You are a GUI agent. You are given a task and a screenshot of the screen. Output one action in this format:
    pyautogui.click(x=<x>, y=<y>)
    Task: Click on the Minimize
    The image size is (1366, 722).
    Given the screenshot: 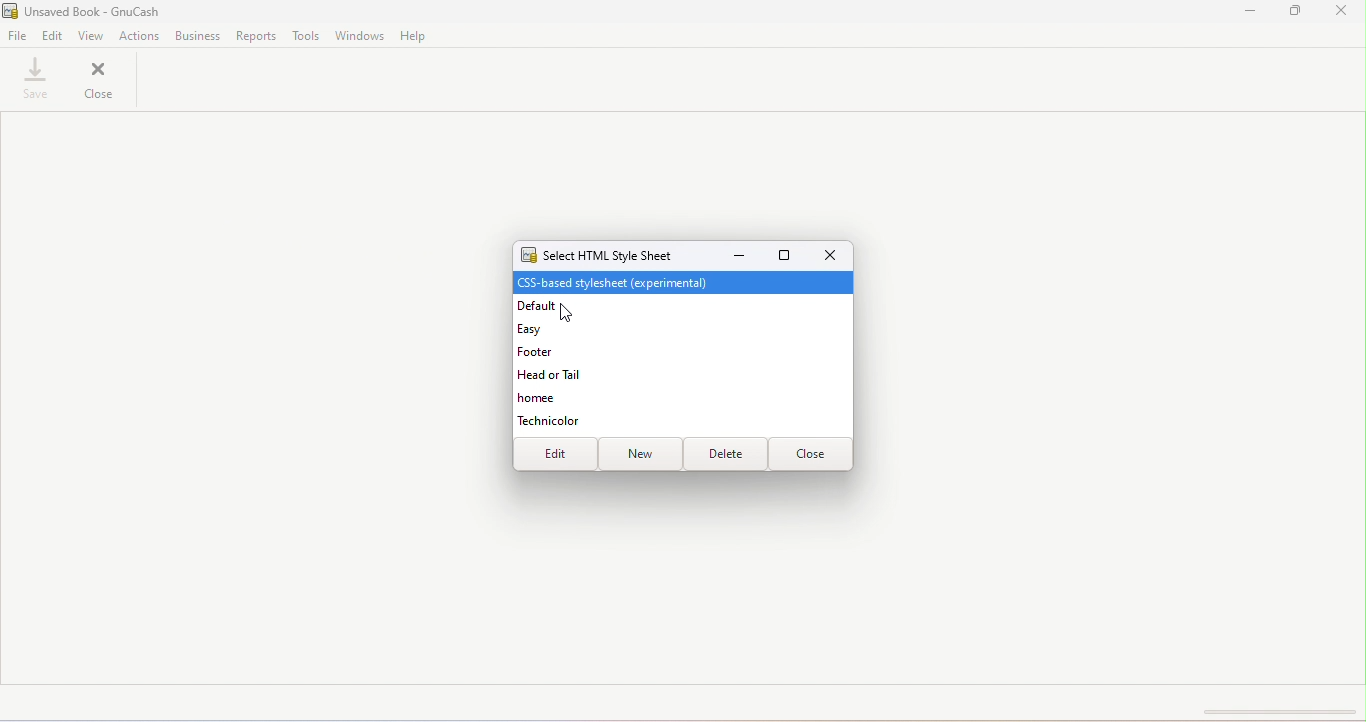 What is the action you would take?
    pyautogui.click(x=741, y=256)
    